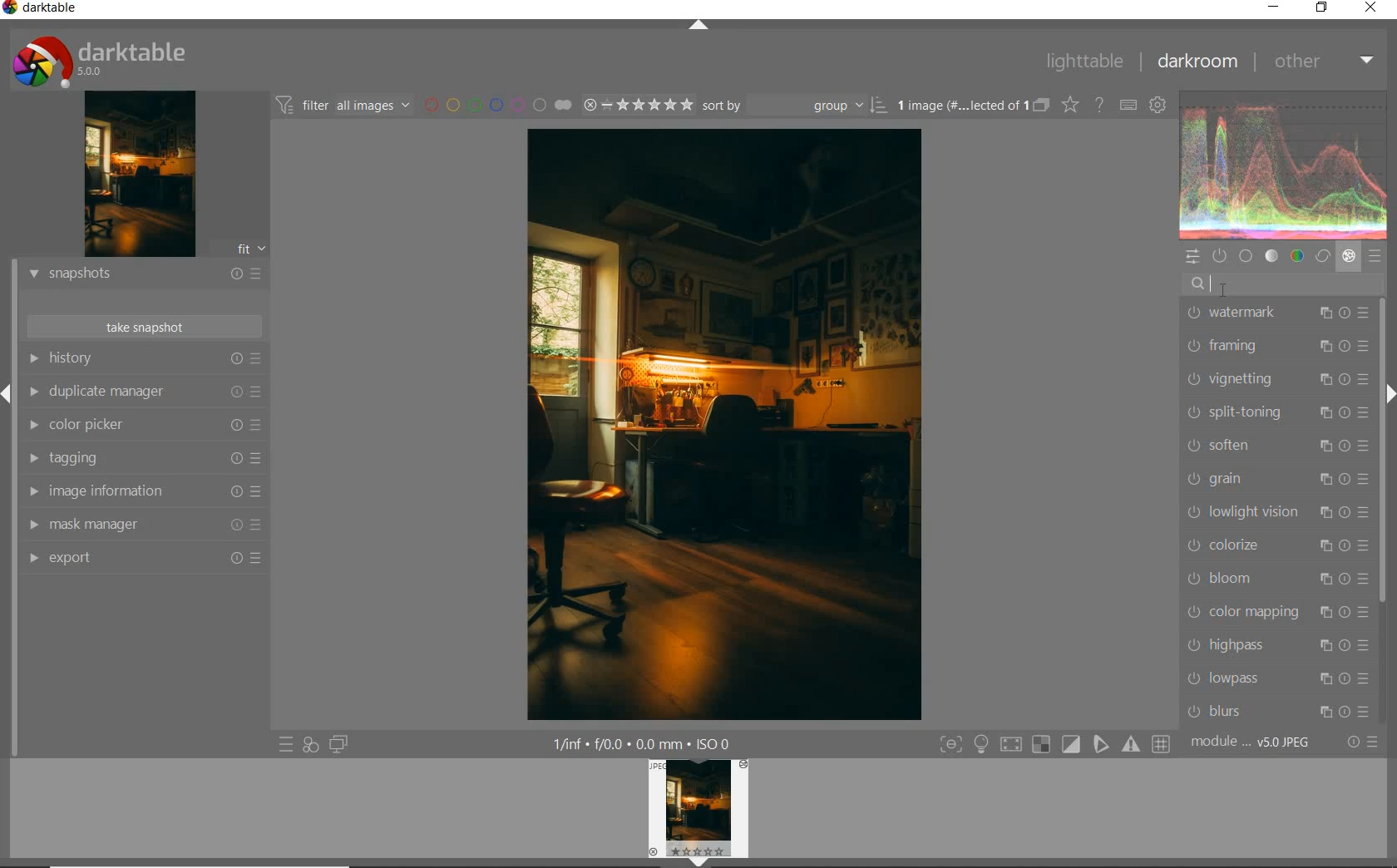 This screenshot has height=868, width=1397. Describe the element at coordinates (1223, 289) in the screenshot. I see `cursor` at that location.